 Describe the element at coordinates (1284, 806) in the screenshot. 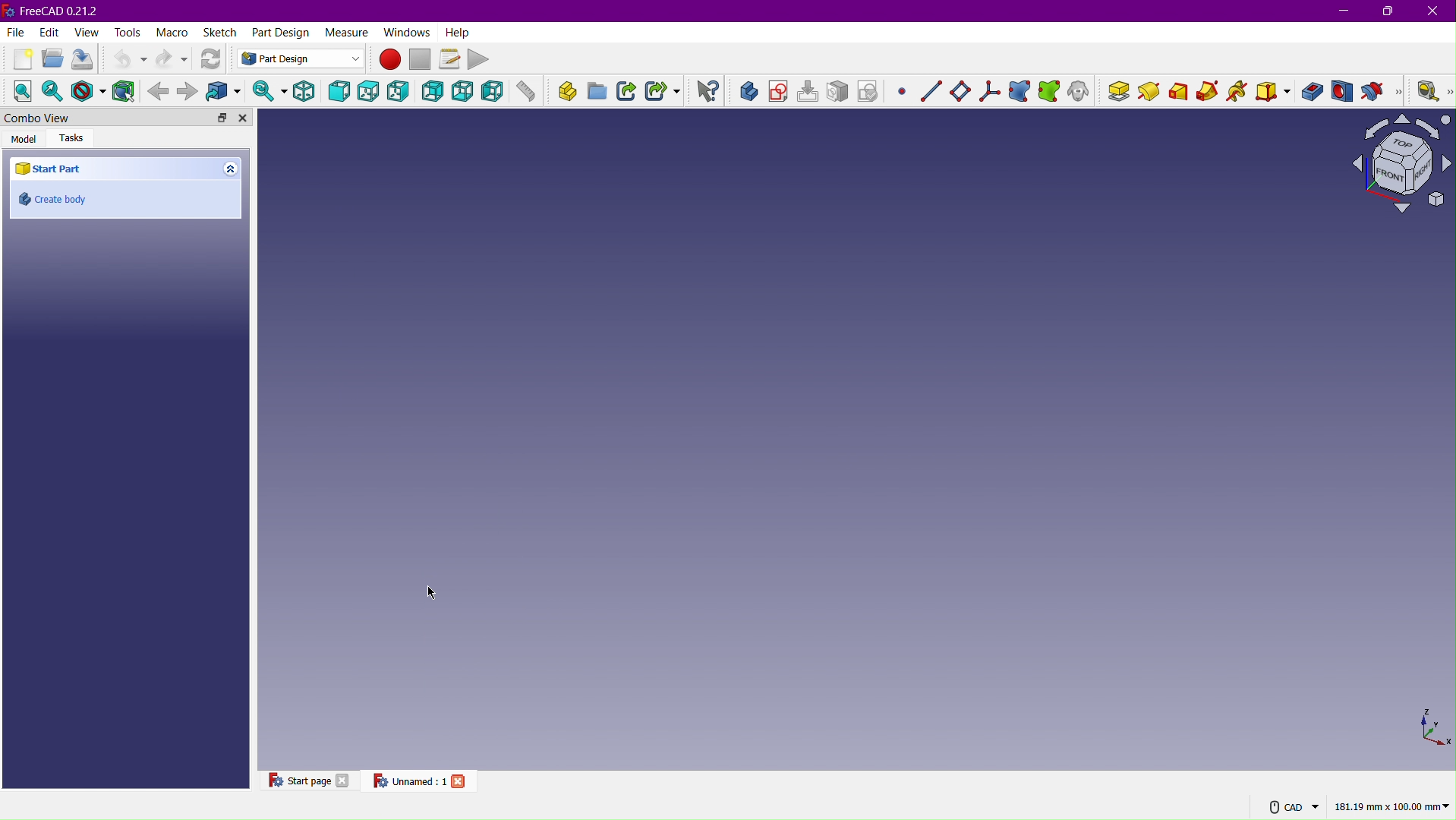

I see `CAD` at that location.